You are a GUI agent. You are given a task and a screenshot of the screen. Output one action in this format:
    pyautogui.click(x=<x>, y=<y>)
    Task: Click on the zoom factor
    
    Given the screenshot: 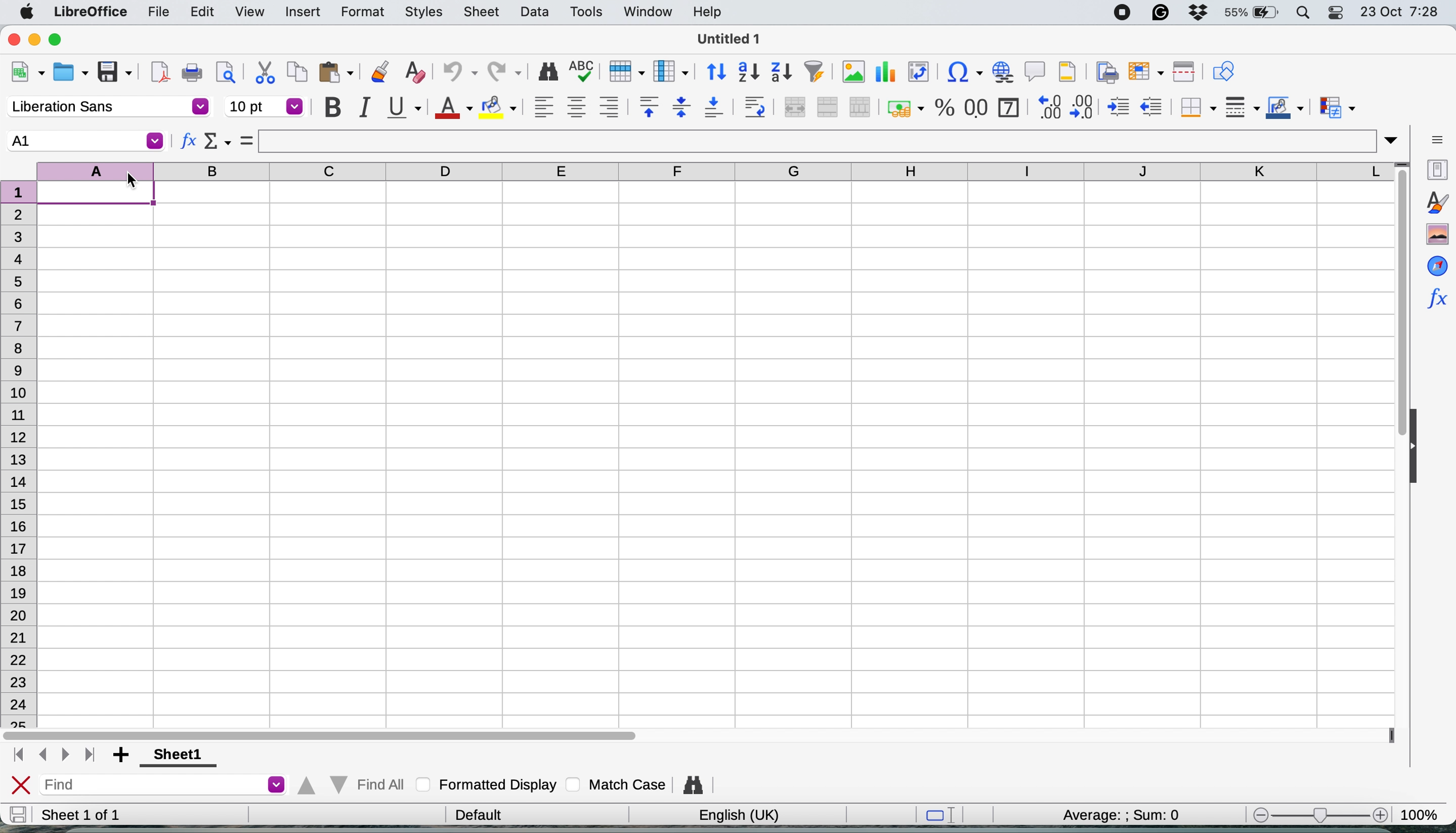 What is the action you would take?
    pyautogui.click(x=1424, y=811)
    